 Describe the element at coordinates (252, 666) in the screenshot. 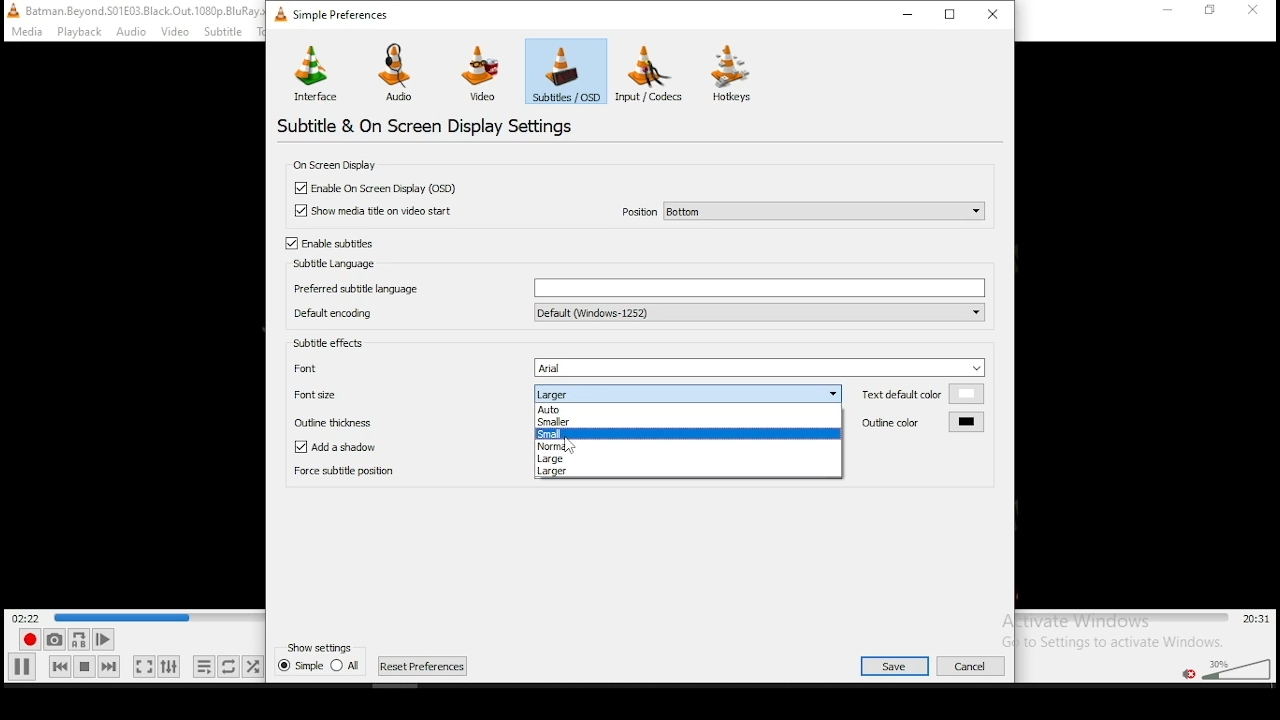

I see `random` at that location.